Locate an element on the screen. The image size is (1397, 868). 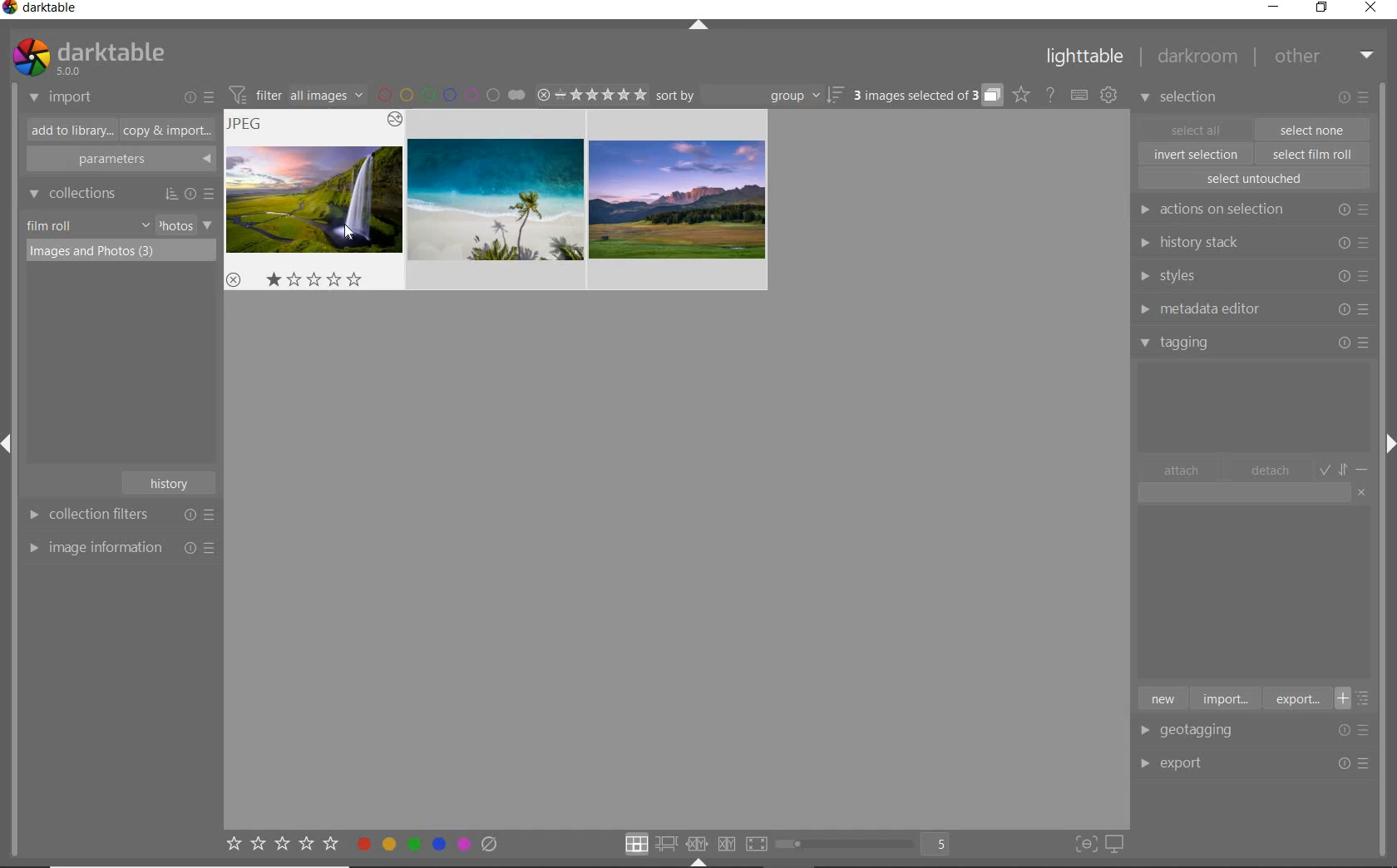
selection is located at coordinates (1181, 99).